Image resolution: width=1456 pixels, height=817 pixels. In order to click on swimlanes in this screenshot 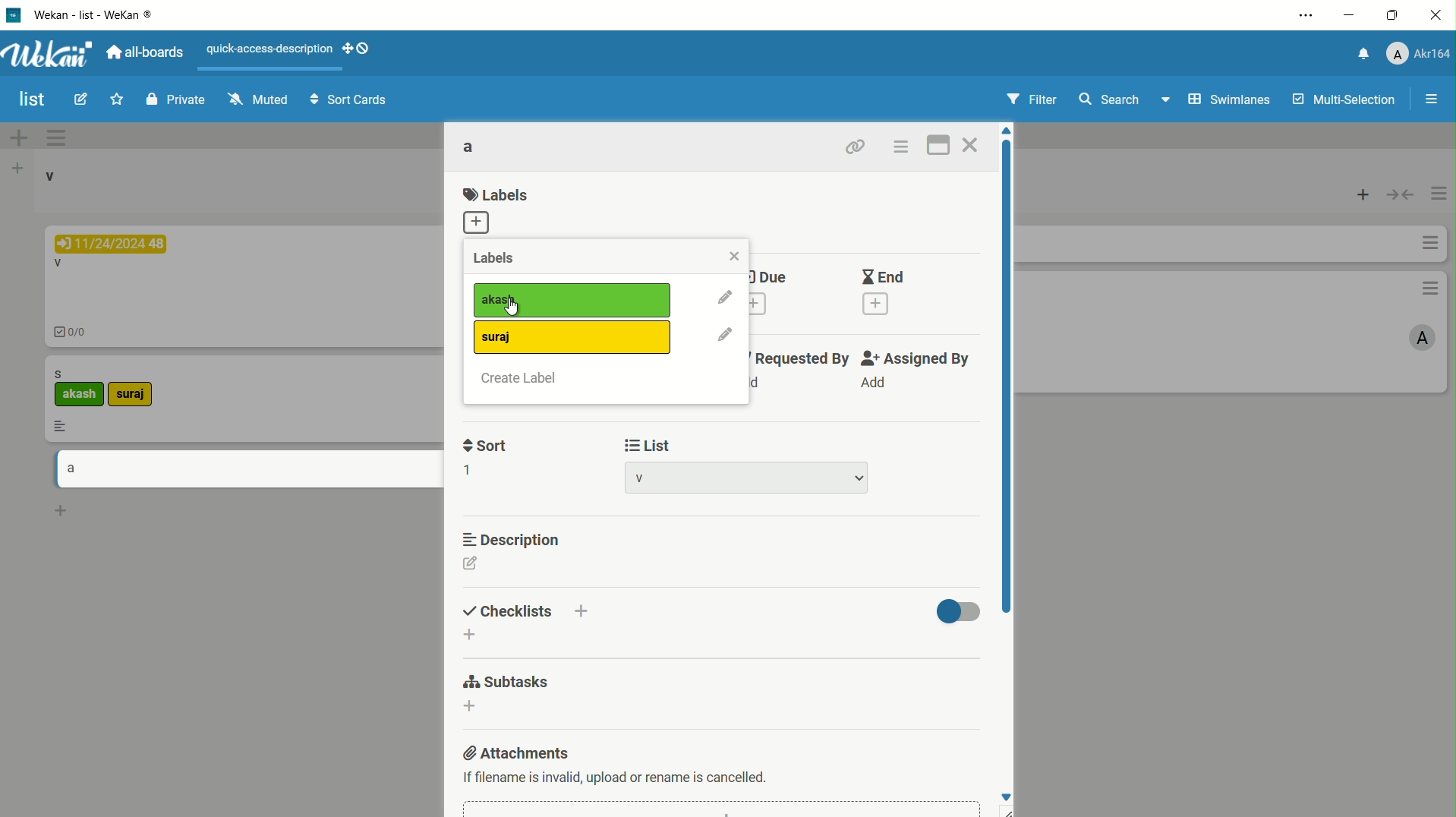, I will do `click(1215, 99)`.